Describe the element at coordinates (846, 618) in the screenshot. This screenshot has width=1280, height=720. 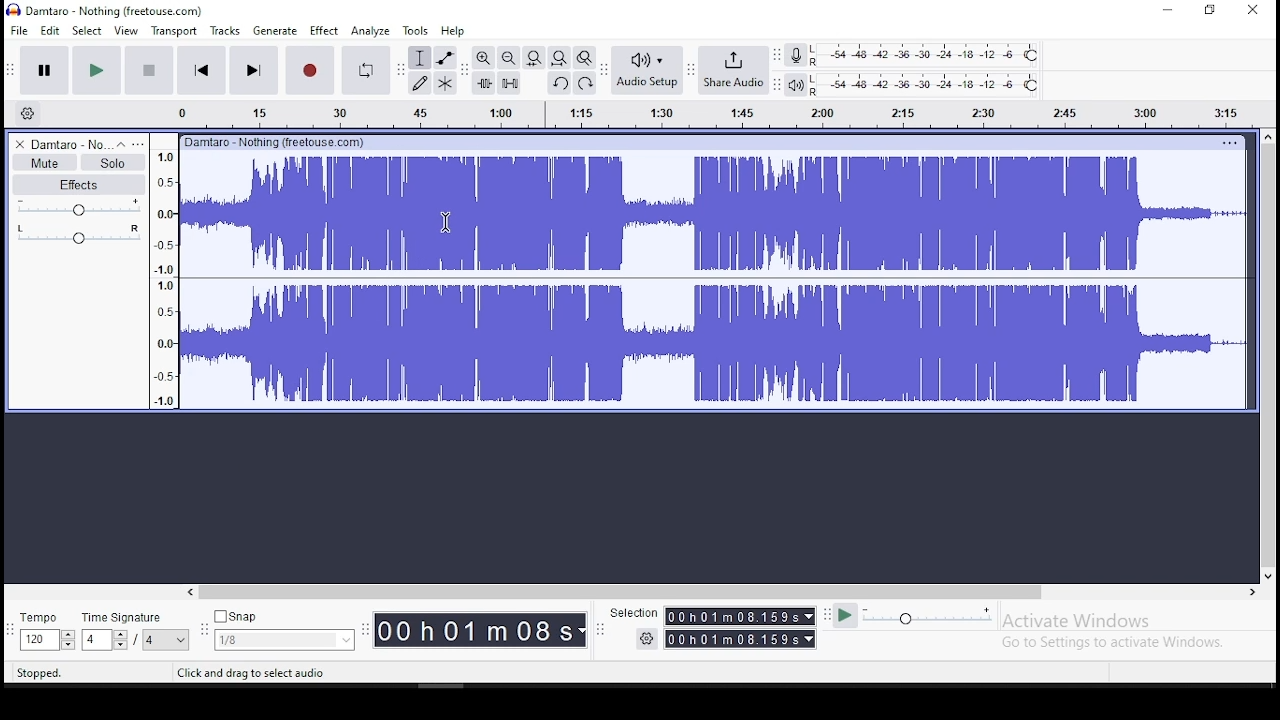
I see `play` at that location.